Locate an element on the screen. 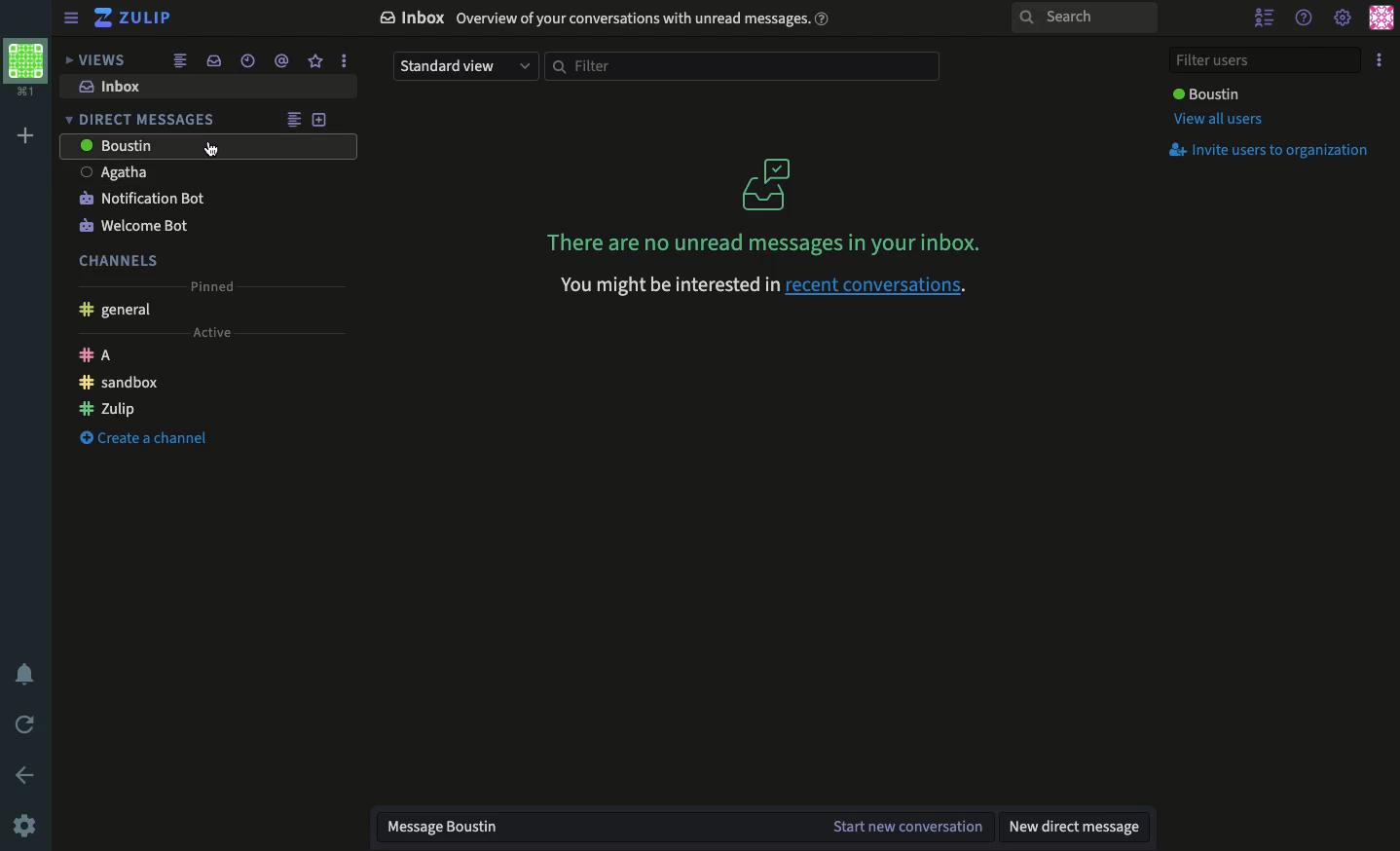 The width and height of the screenshot is (1400, 851). Inbox is located at coordinates (607, 20).